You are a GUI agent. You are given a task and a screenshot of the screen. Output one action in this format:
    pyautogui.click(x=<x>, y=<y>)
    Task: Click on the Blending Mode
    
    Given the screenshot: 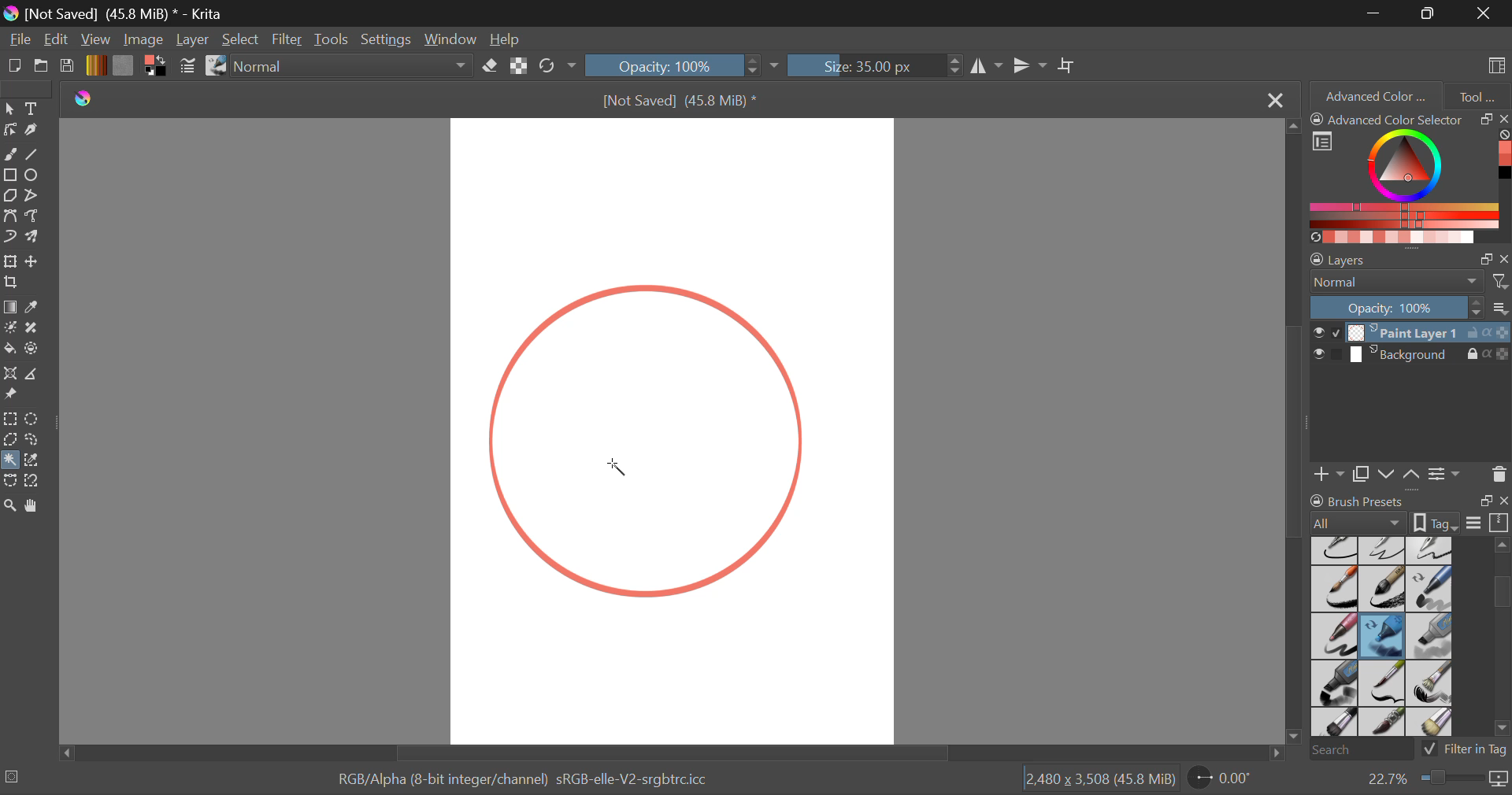 What is the action you would take?
    pyautogui.click(x=1410, y=282)
    